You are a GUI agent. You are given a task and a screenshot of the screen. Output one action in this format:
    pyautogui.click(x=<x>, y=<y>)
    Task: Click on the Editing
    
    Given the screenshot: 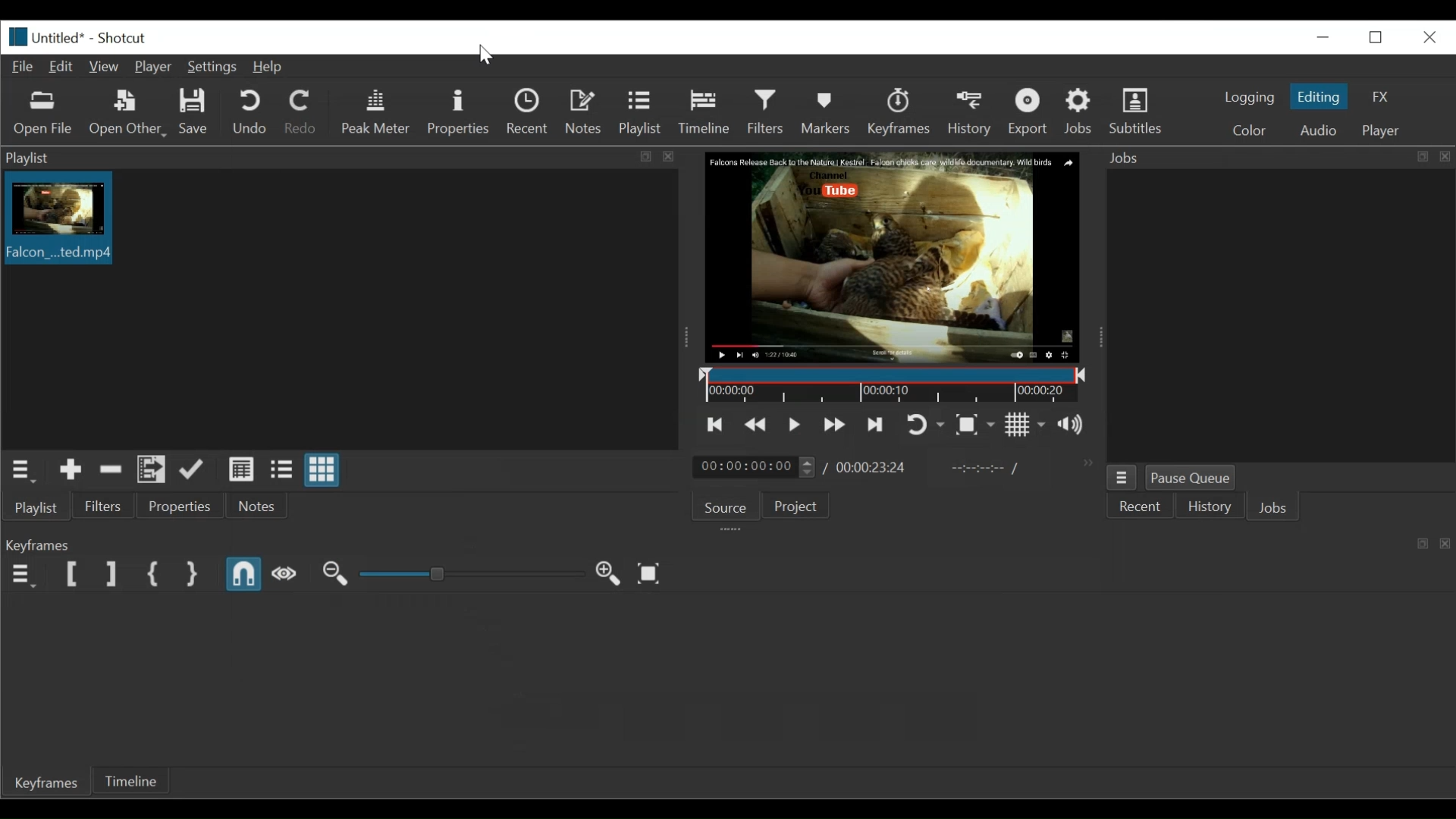 What is the action you would take?
    pyautogui.click(x=1321, y=96)
    